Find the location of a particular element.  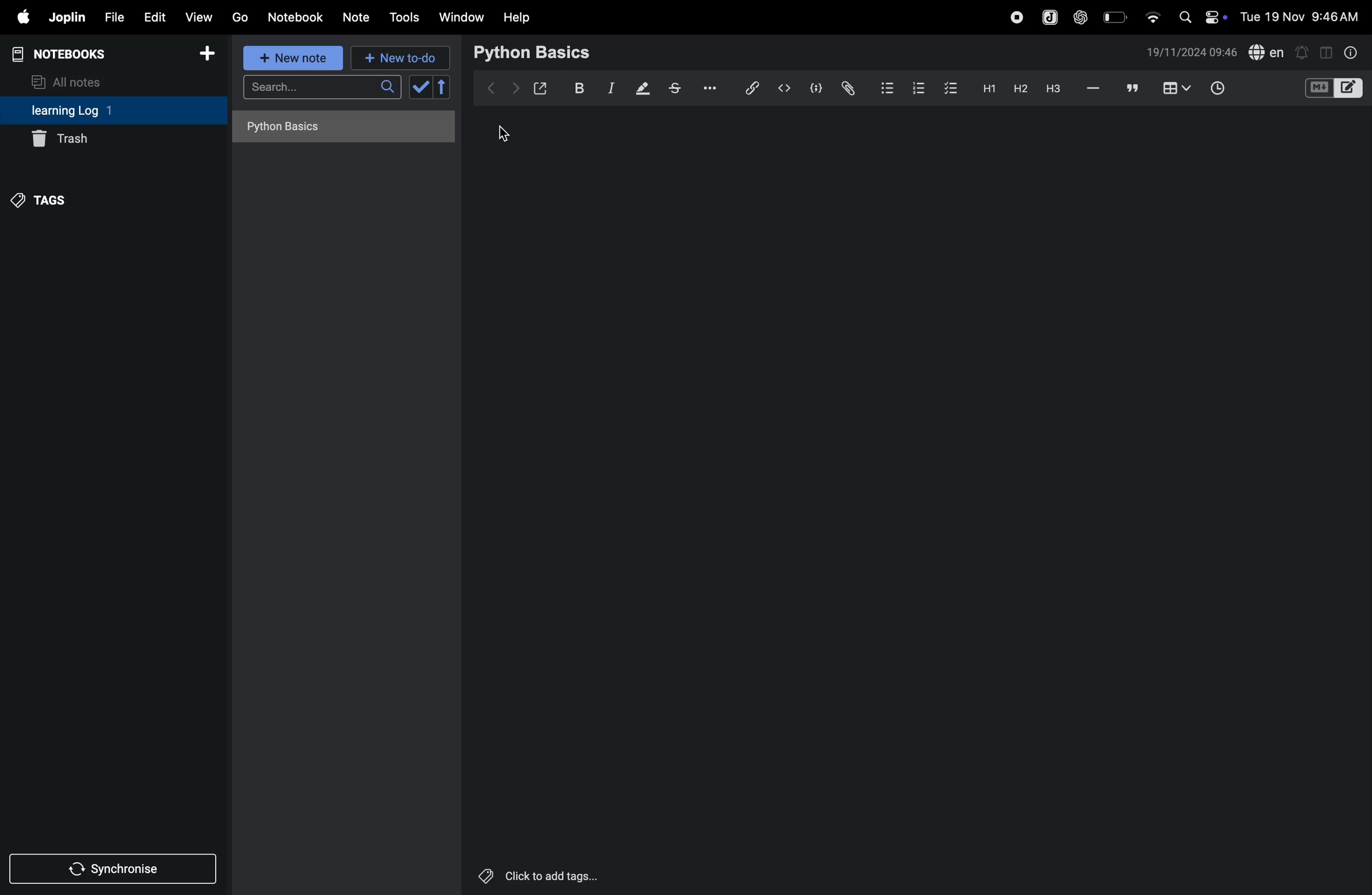

joplin is located at coordinates (66, 17).